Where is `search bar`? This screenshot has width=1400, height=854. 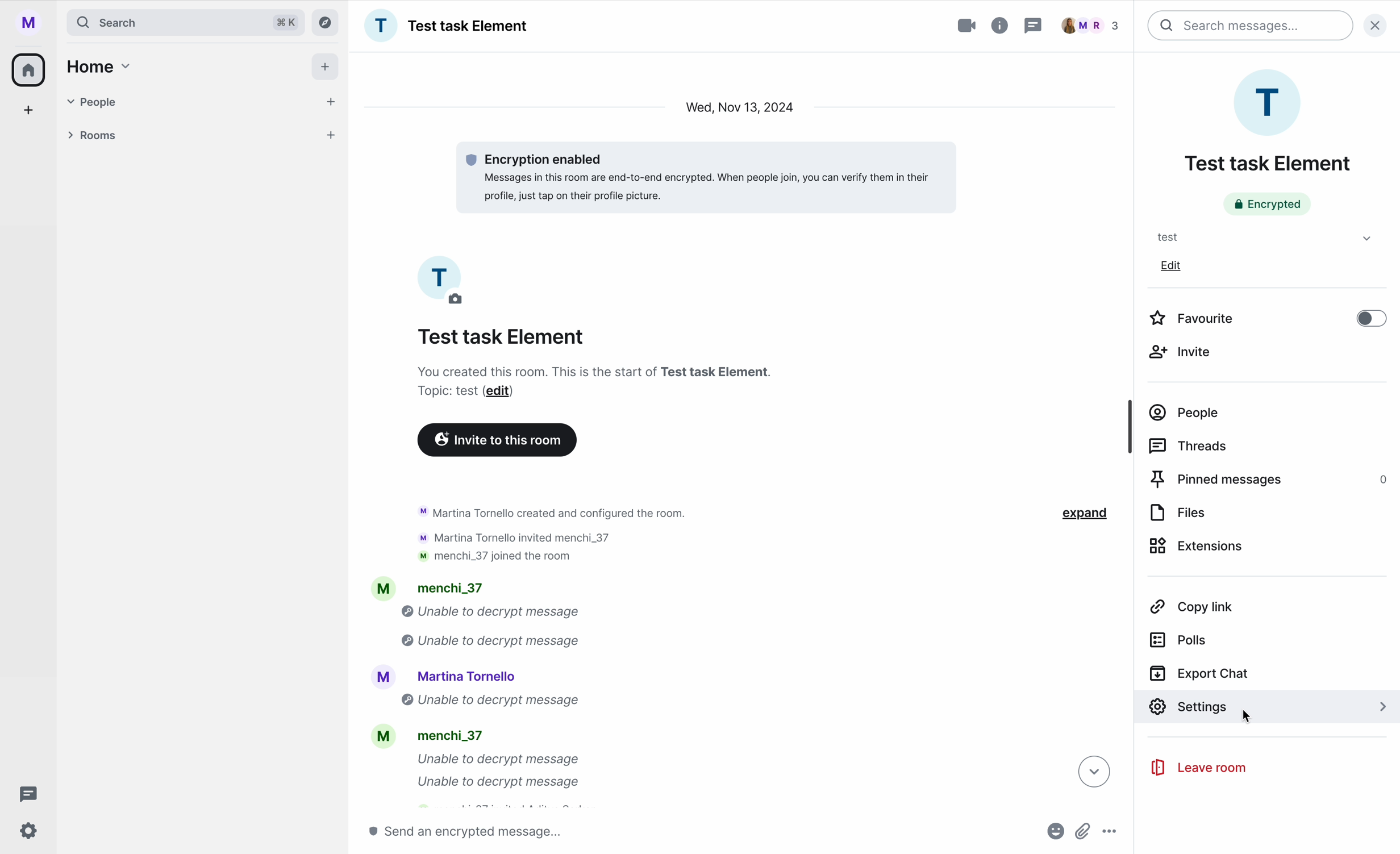
search bar is located at coordinates (186, 22).